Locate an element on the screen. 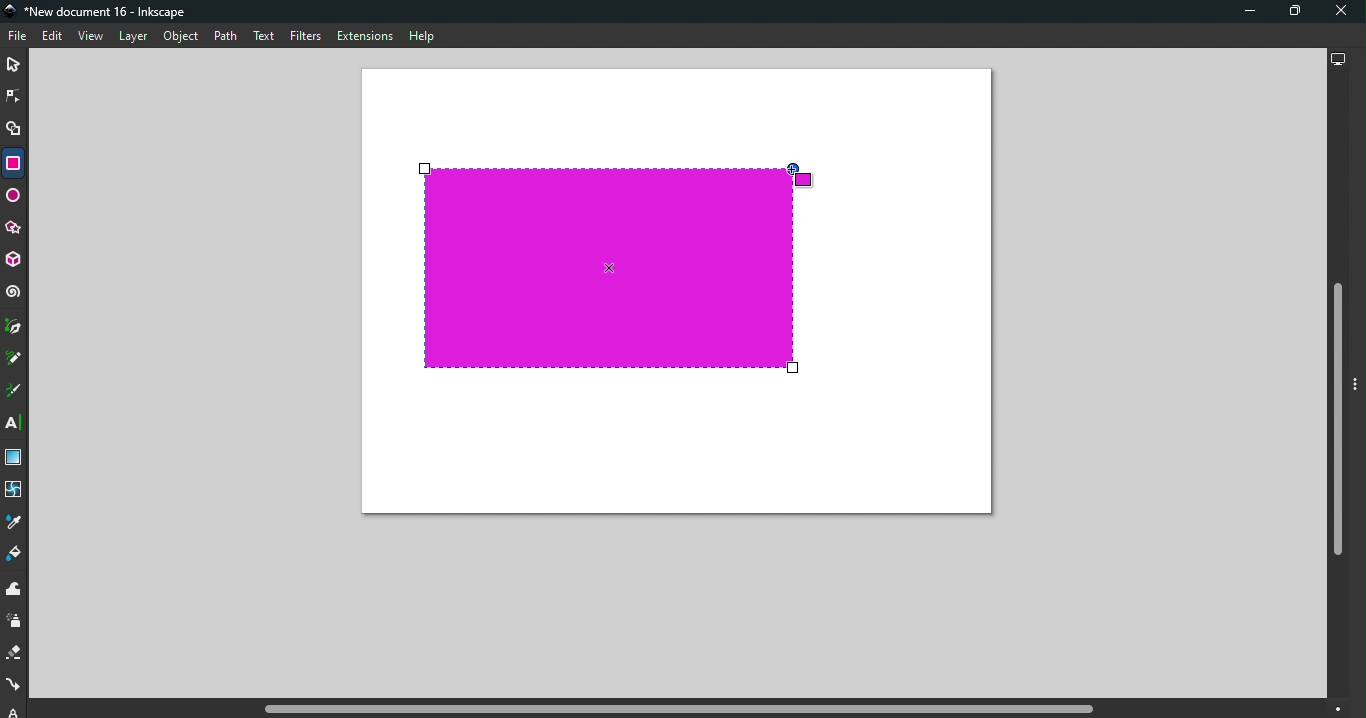  3D box tool is located at coordinates (15, 262).